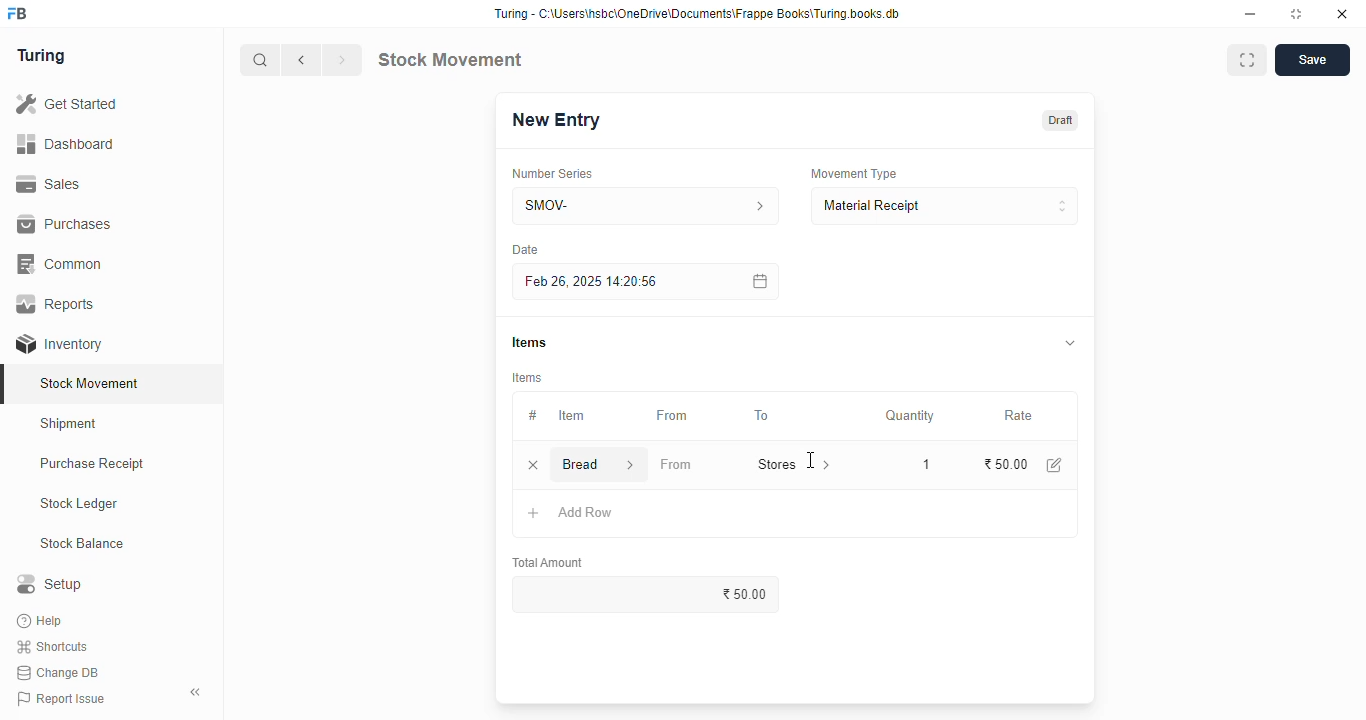 Image resolution: width=1366 pixels, height=720 pixels. I want to click on help, so click(42, 621).